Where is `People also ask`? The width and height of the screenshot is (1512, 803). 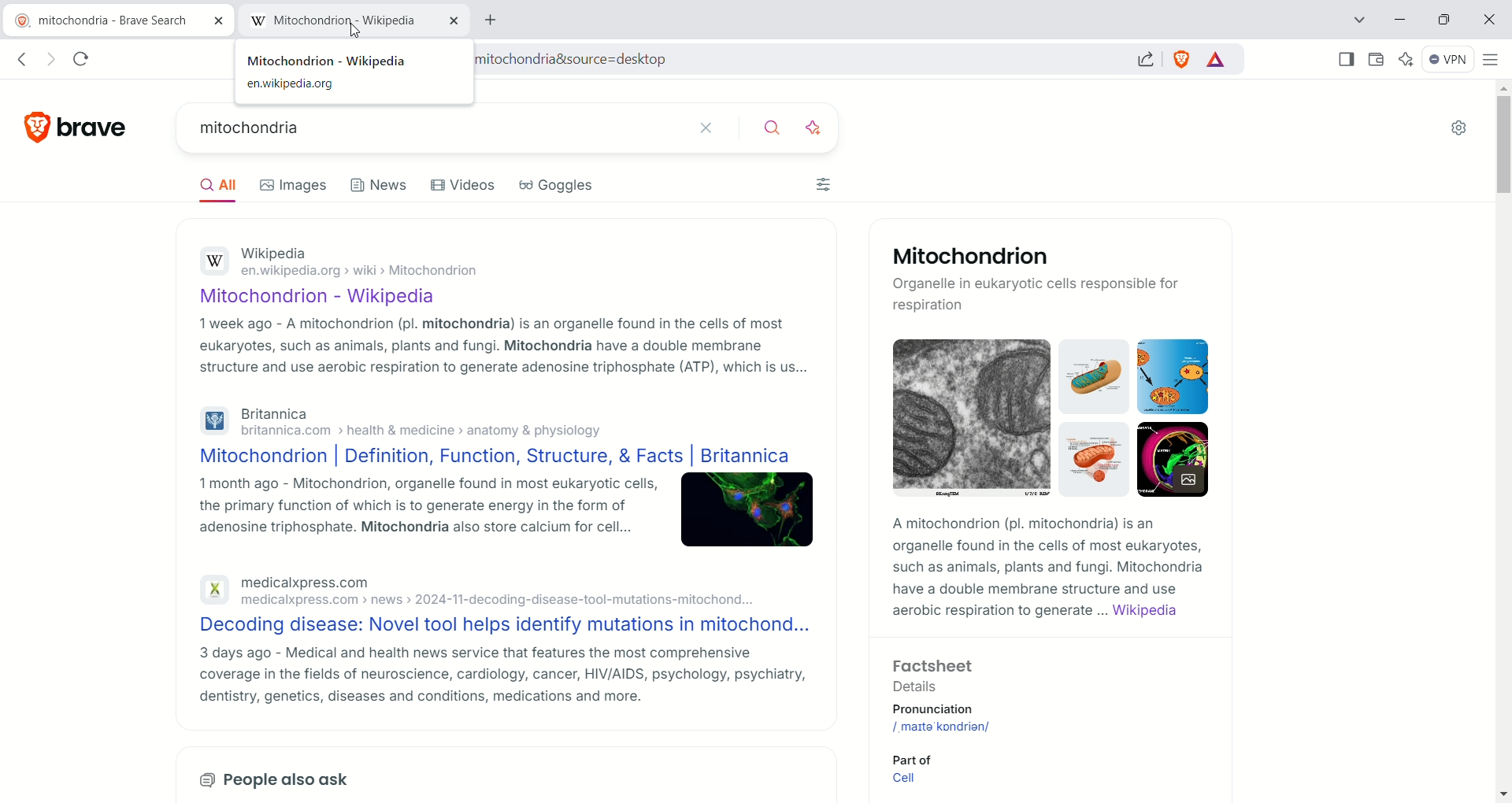
People also ask is located at coordinates (263, 776).